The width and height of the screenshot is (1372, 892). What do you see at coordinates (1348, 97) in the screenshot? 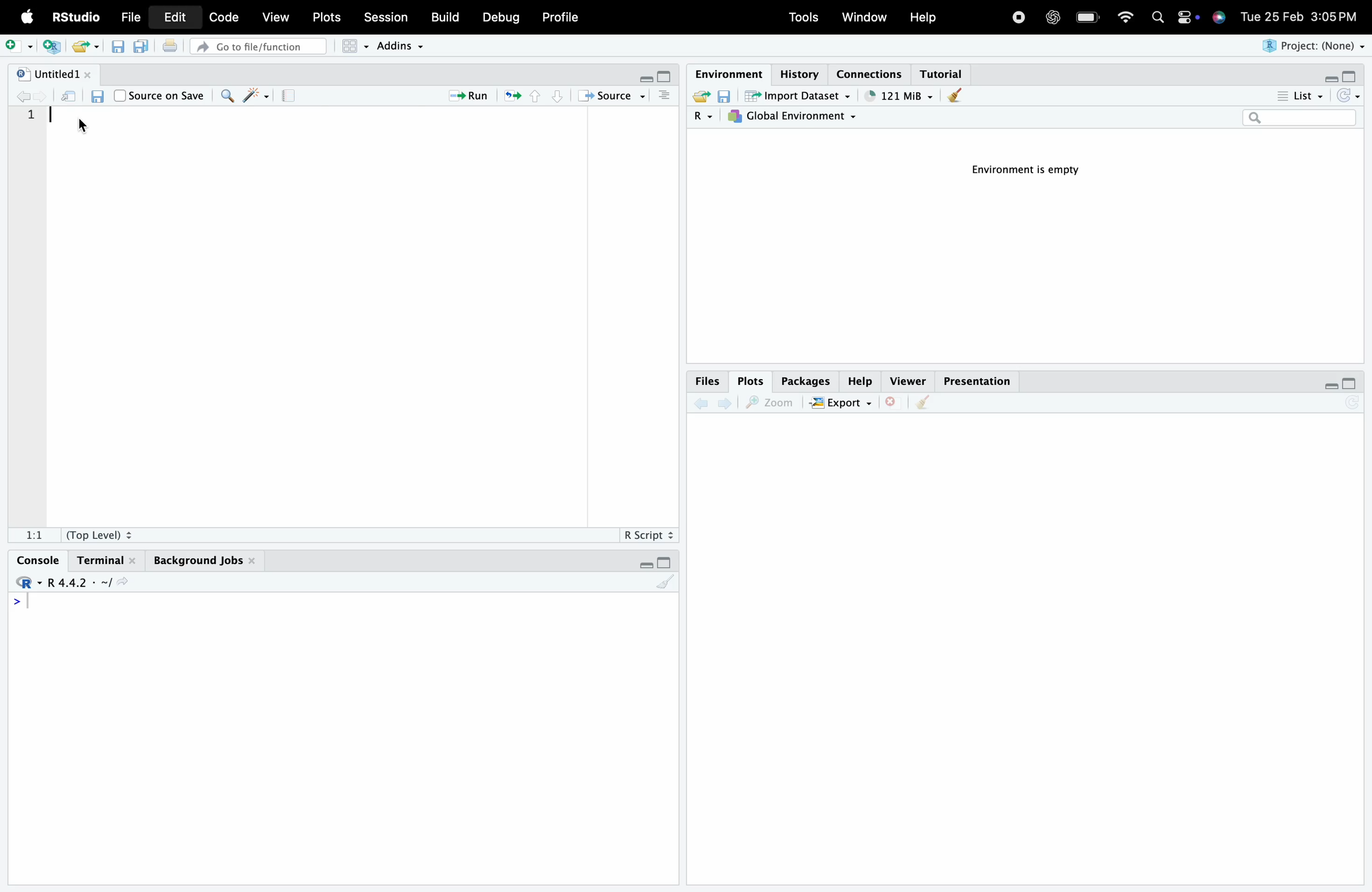
I see `Refresh the list of objects in the environment` at bounding box center [1348, 97].